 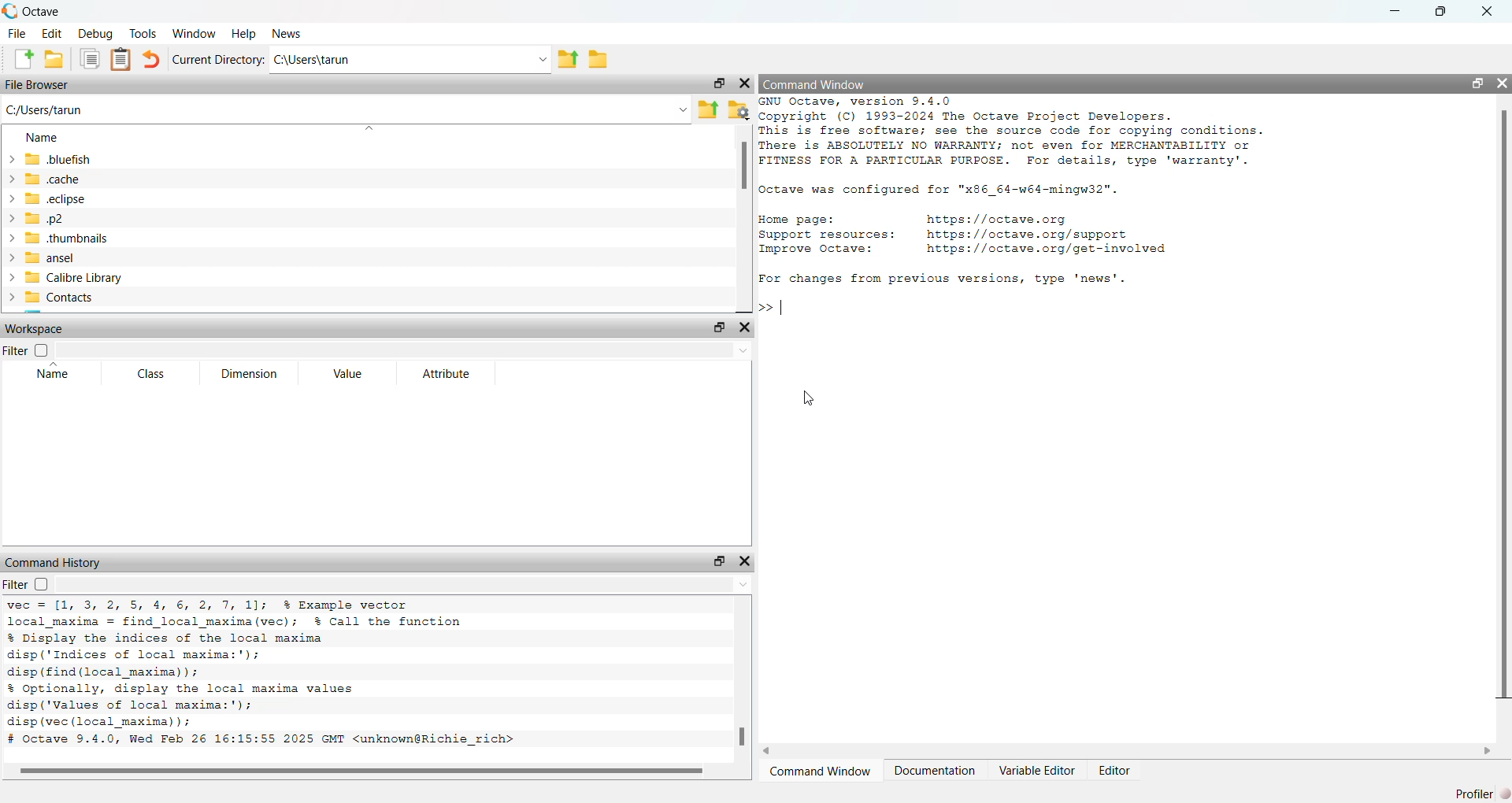 I want to click on vertical scroll bar, so click(x=742, y=679).